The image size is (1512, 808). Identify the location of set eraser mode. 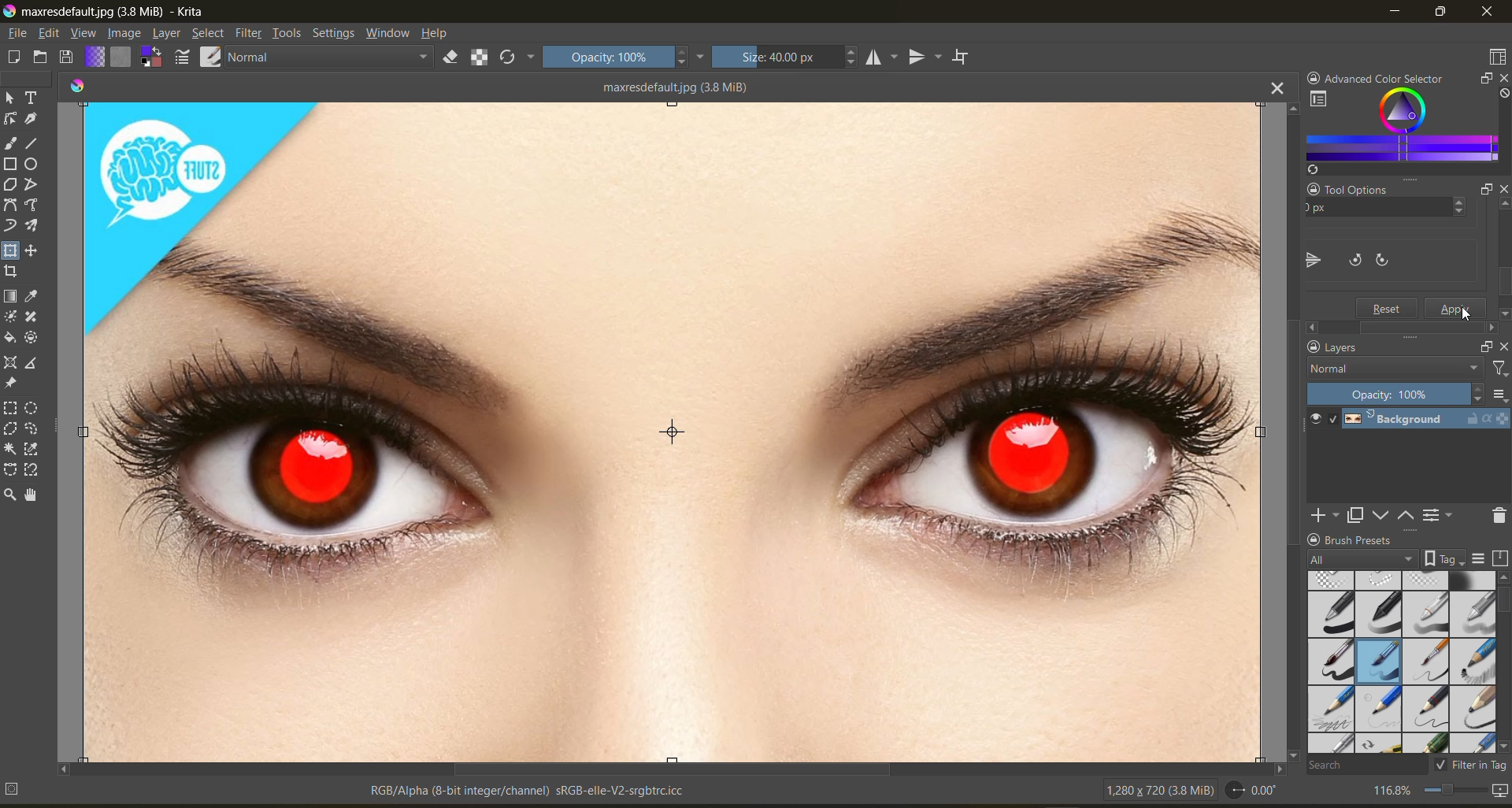
(458, 58).